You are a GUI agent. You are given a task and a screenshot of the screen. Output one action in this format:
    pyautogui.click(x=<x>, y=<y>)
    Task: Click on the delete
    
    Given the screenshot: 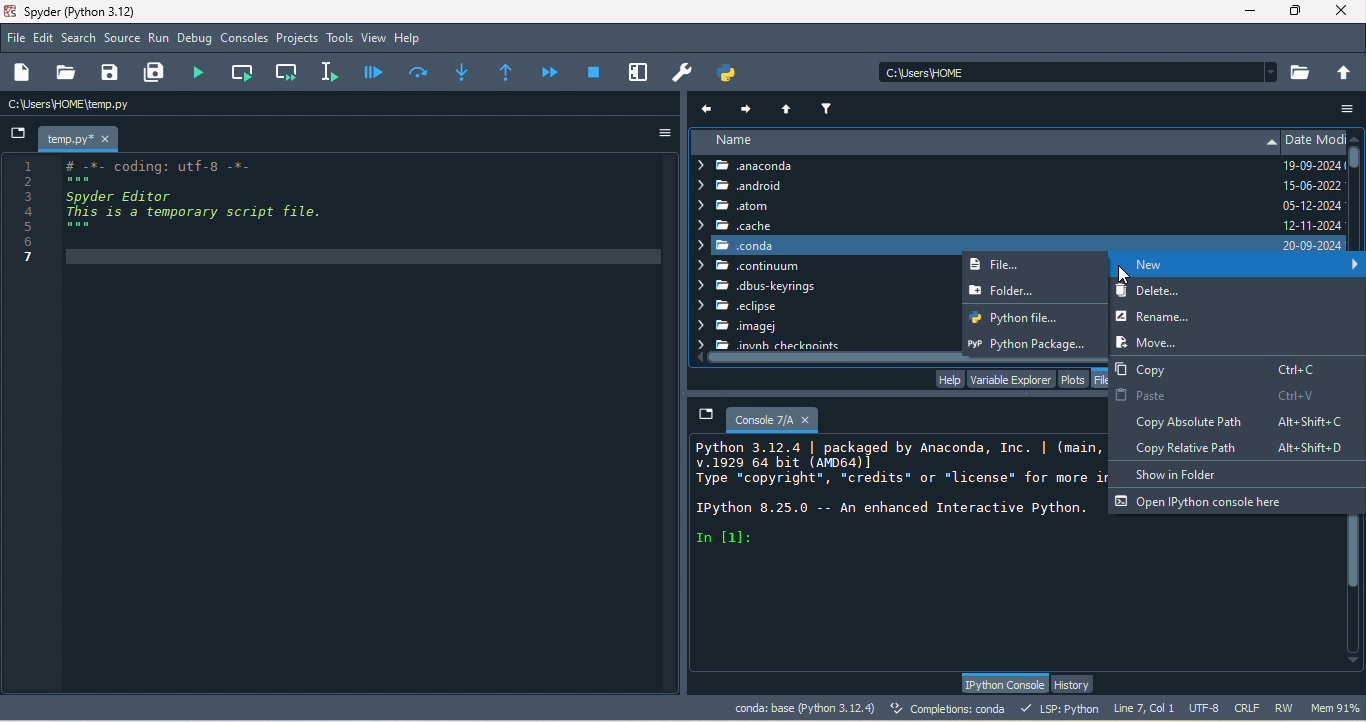 What is the action you would take?
    pyautogui.click(x=1235, y=293)
    